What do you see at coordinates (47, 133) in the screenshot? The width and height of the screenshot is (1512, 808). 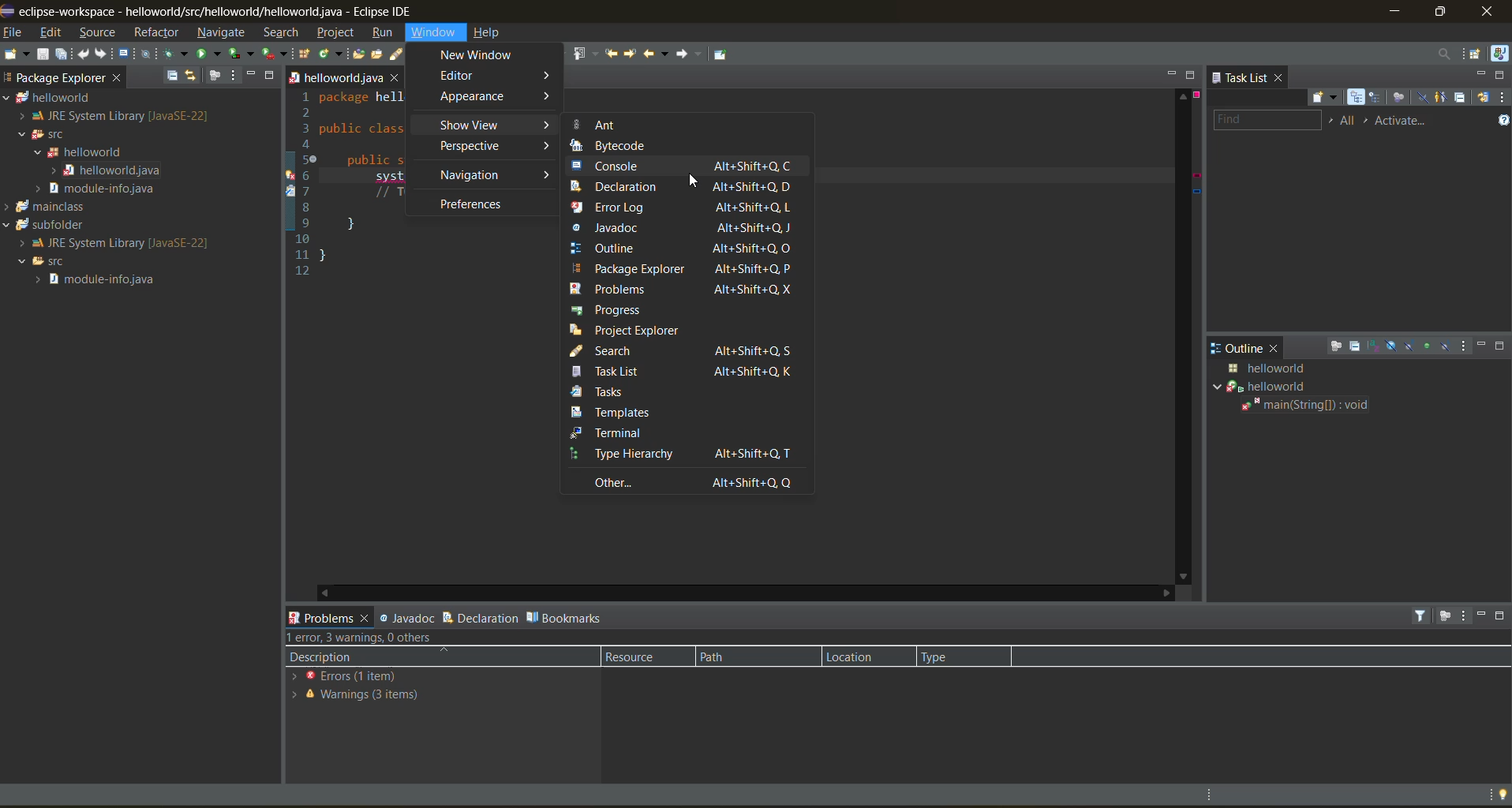 I see `SFC` at bounding box center [47, 133].